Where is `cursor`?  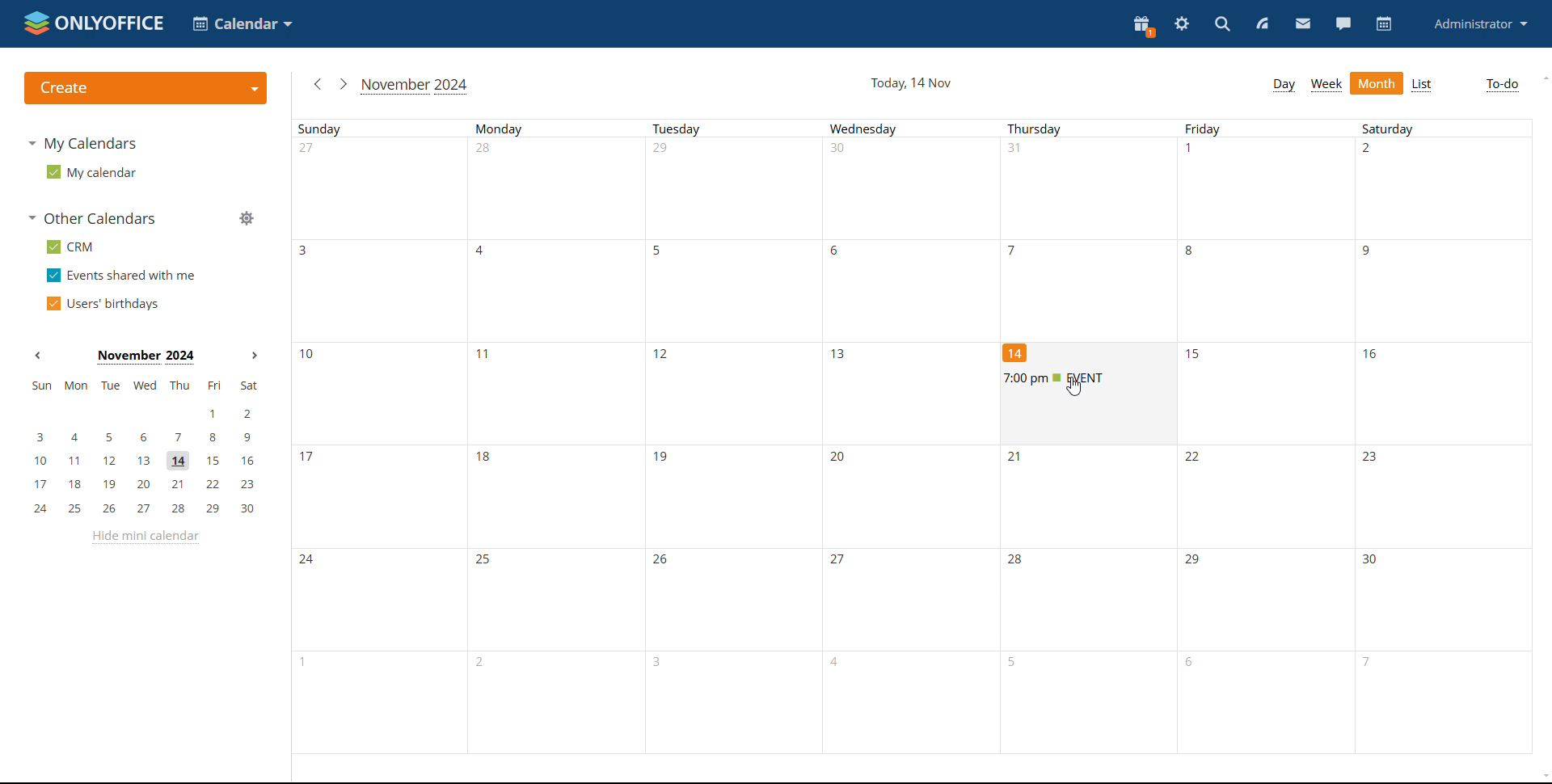
cursor is located at coordinates (1074, 387).